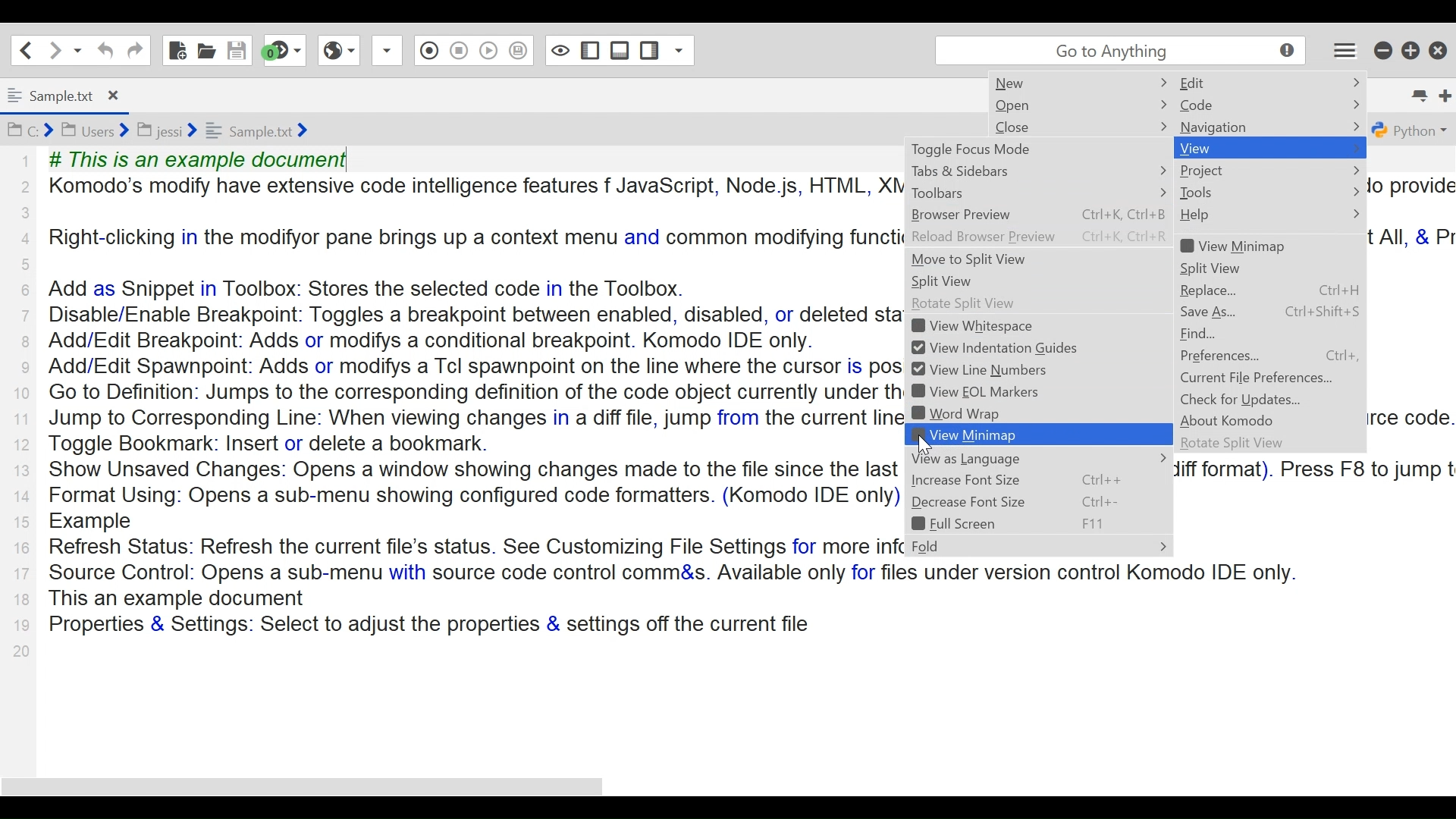 The image size is (1456, 819). Describe the element at coordinates (1414, 93) in the screenshot. I see `List all tabs` at that location.